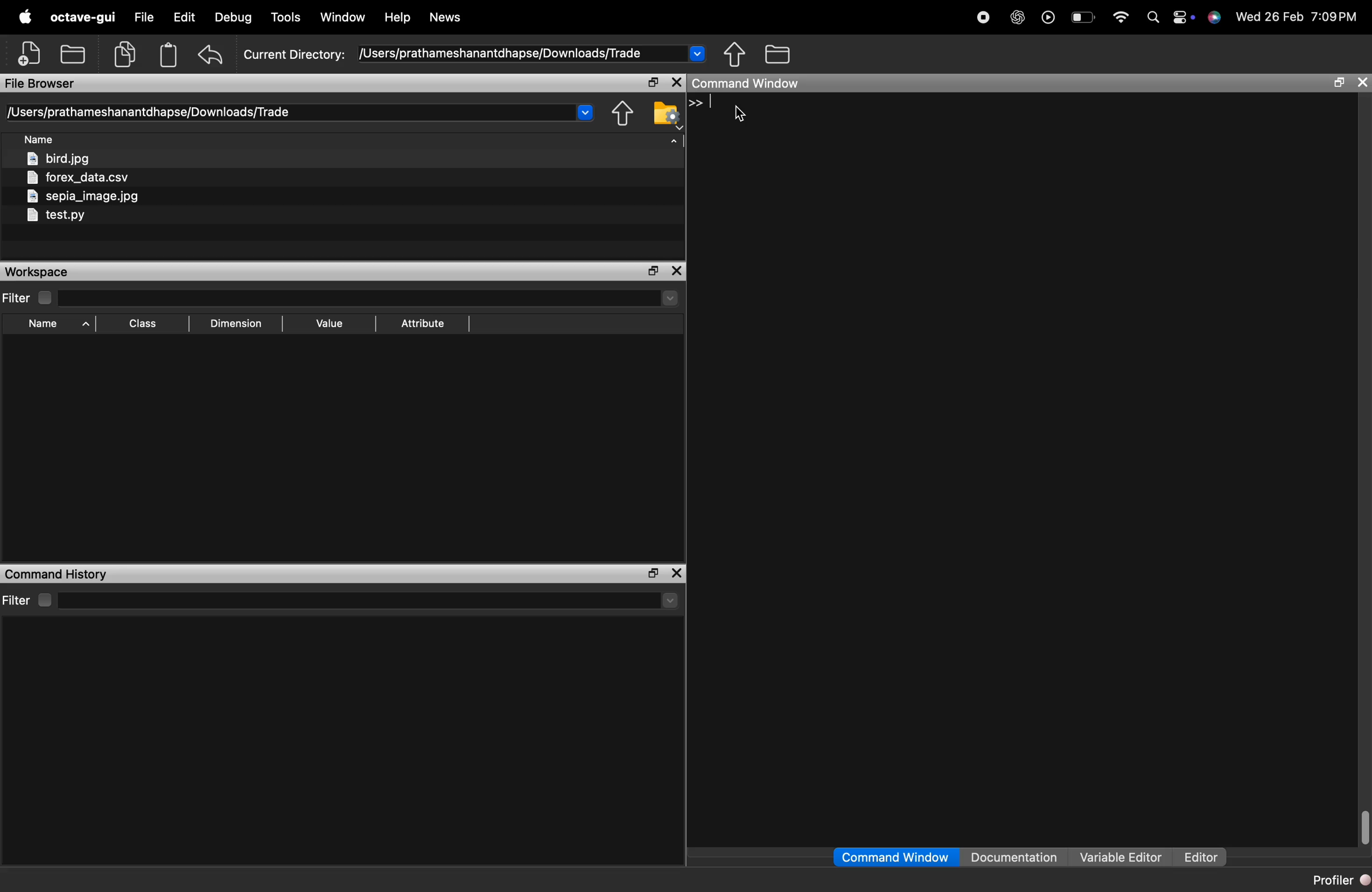  Describe the element at coordinates (1084, 18) in the screenshot. I see `battery` at that location.